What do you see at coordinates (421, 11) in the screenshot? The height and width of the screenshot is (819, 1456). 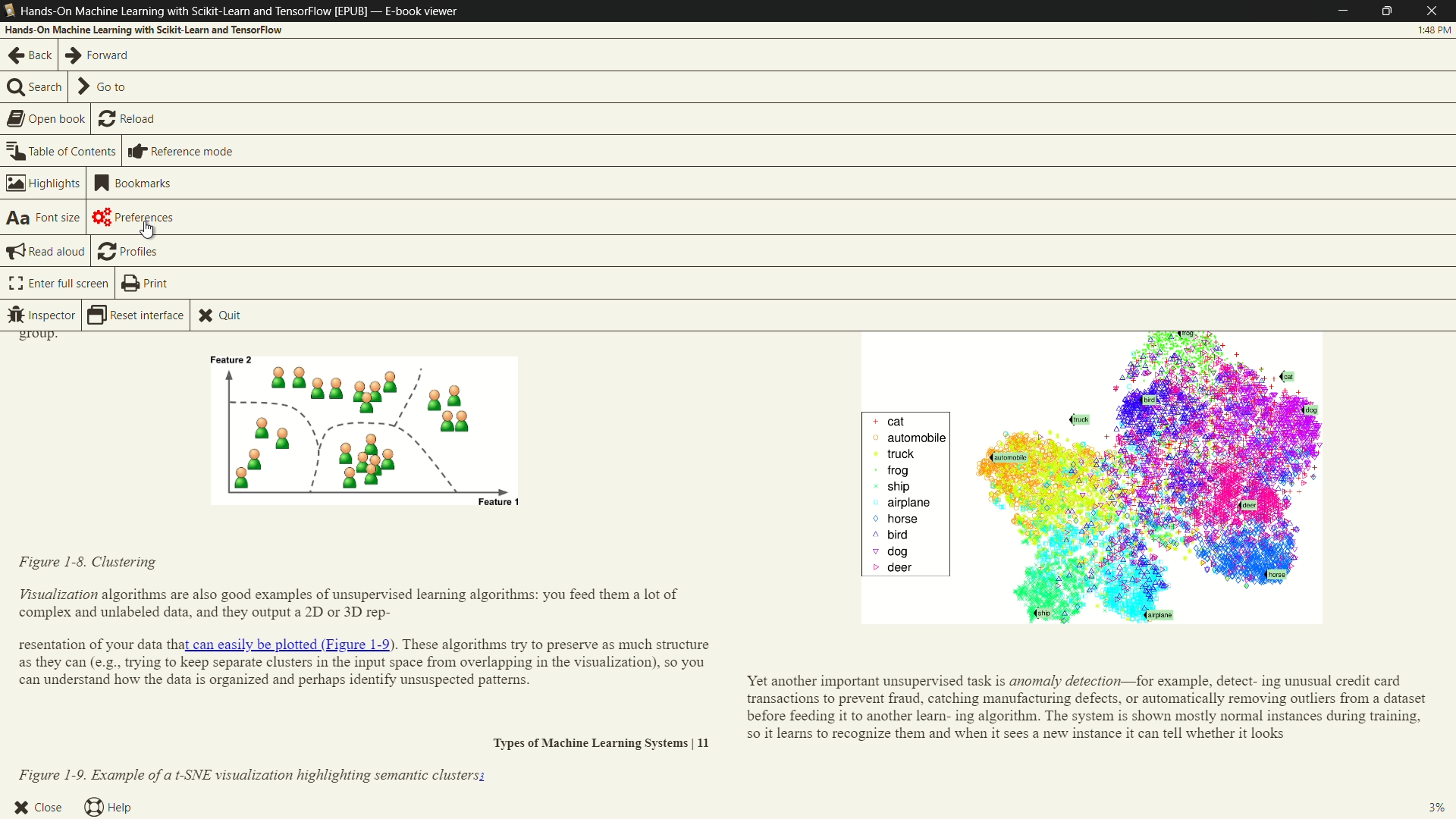 I see `e-book viewer` at bounding box center [421, 11].